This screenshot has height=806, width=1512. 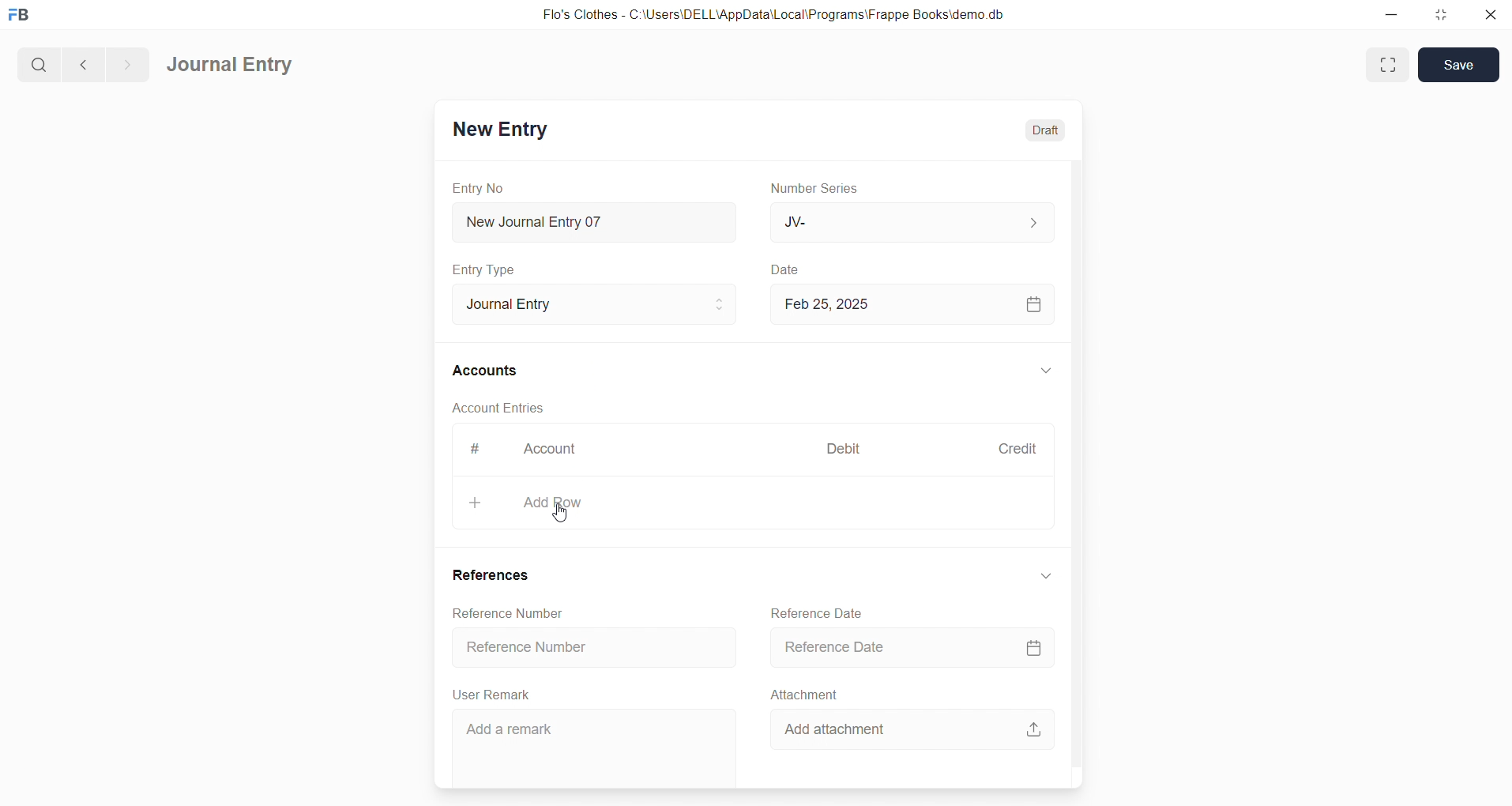 What do you see at coordinates (912, 648) in the screenshot?
I see `Reference Date` at bounding box center [912, 648].